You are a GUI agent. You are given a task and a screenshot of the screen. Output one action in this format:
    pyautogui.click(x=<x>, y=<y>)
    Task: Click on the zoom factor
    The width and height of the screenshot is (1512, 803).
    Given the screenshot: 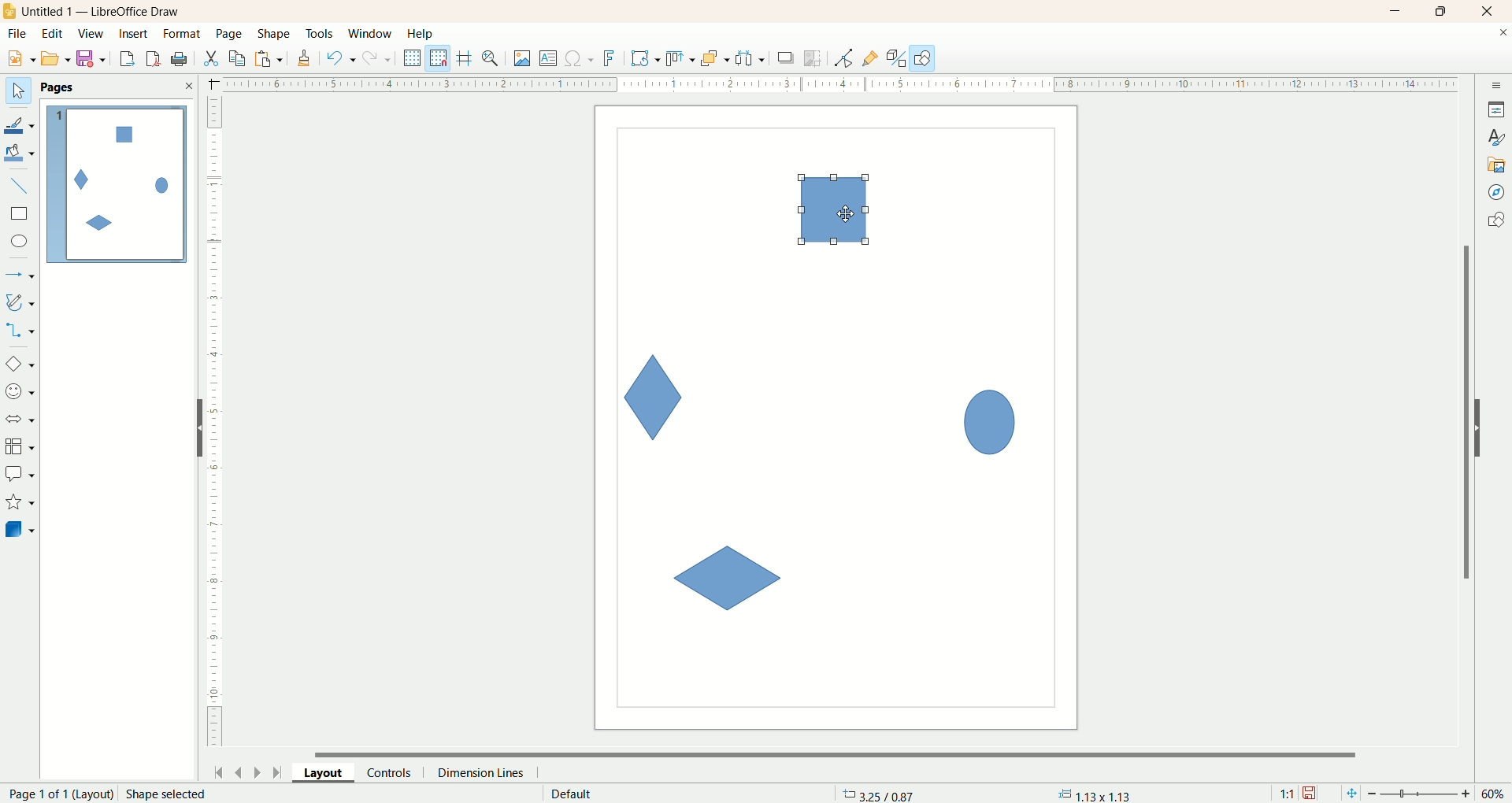 What is the action you would take?
    pyautogui.click(x=1421, y=794)
    